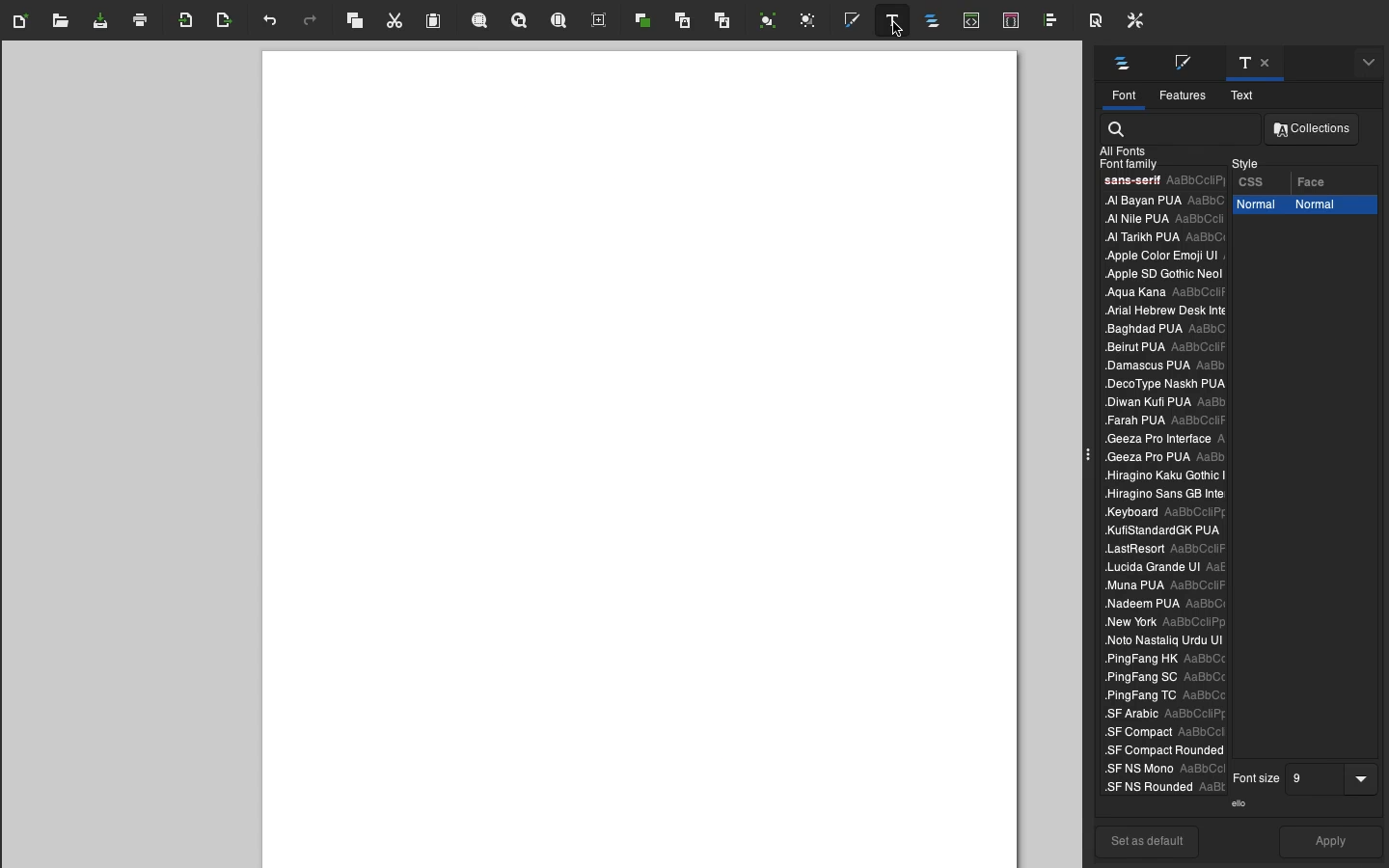  I want to click on .PingFang SC, so click(1161, 680).